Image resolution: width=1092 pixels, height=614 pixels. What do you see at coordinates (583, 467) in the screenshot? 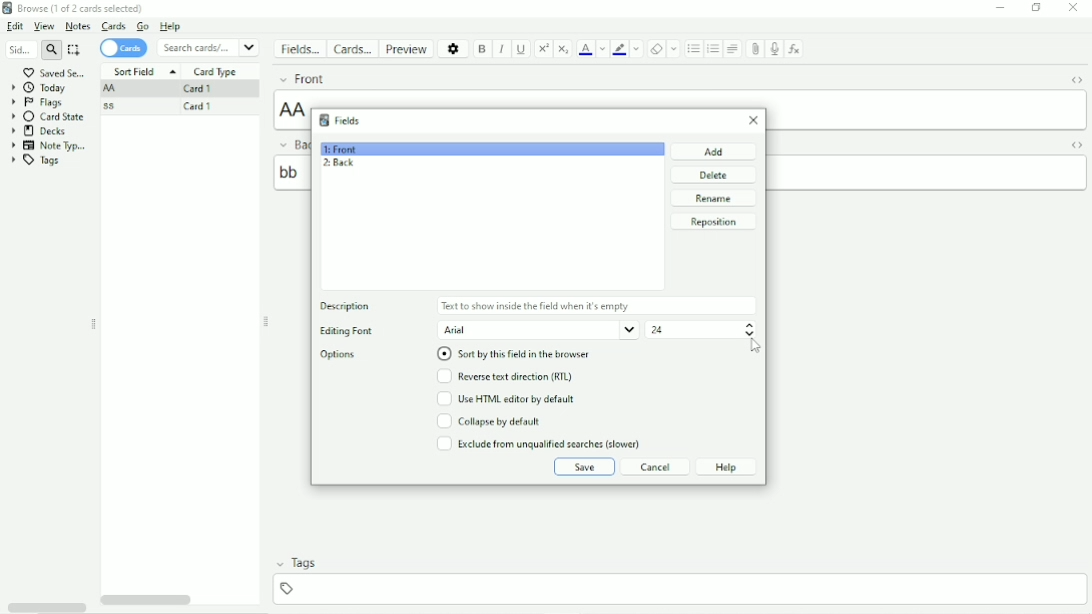
I see `Save` at bounding box center [583, 467].